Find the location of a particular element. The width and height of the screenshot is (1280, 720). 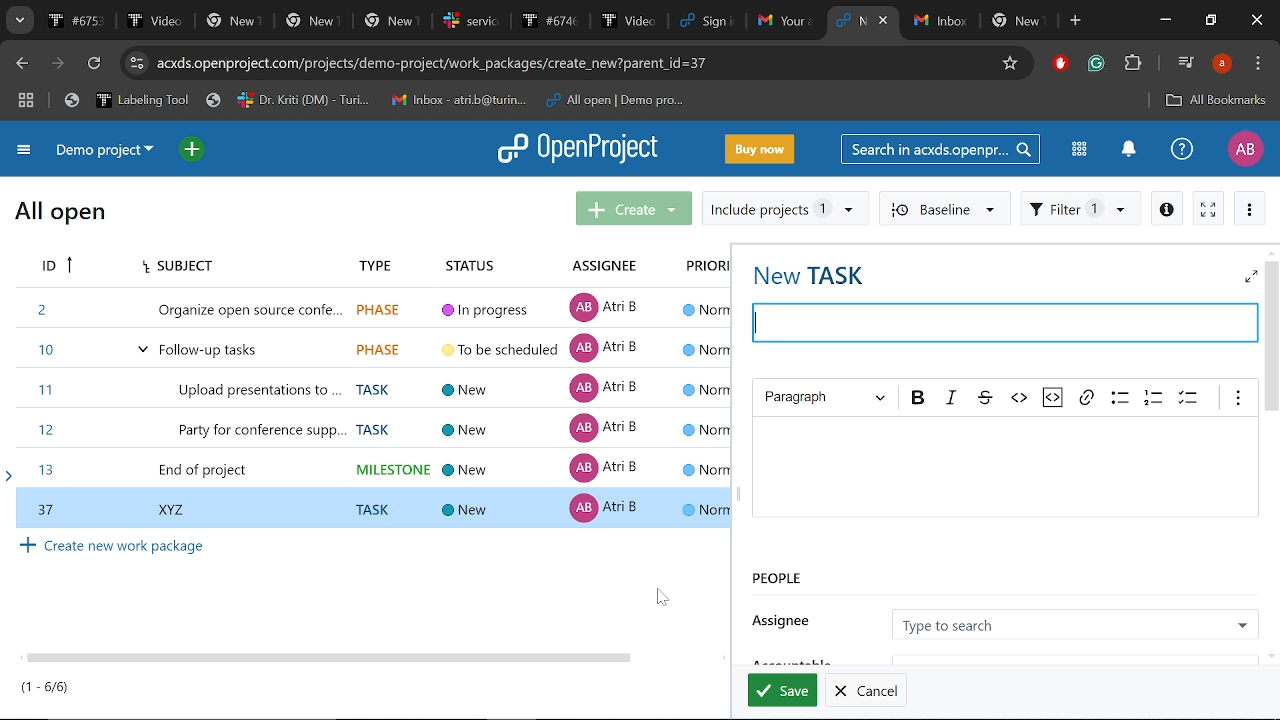

Link is located at coordinates (1086, 397).